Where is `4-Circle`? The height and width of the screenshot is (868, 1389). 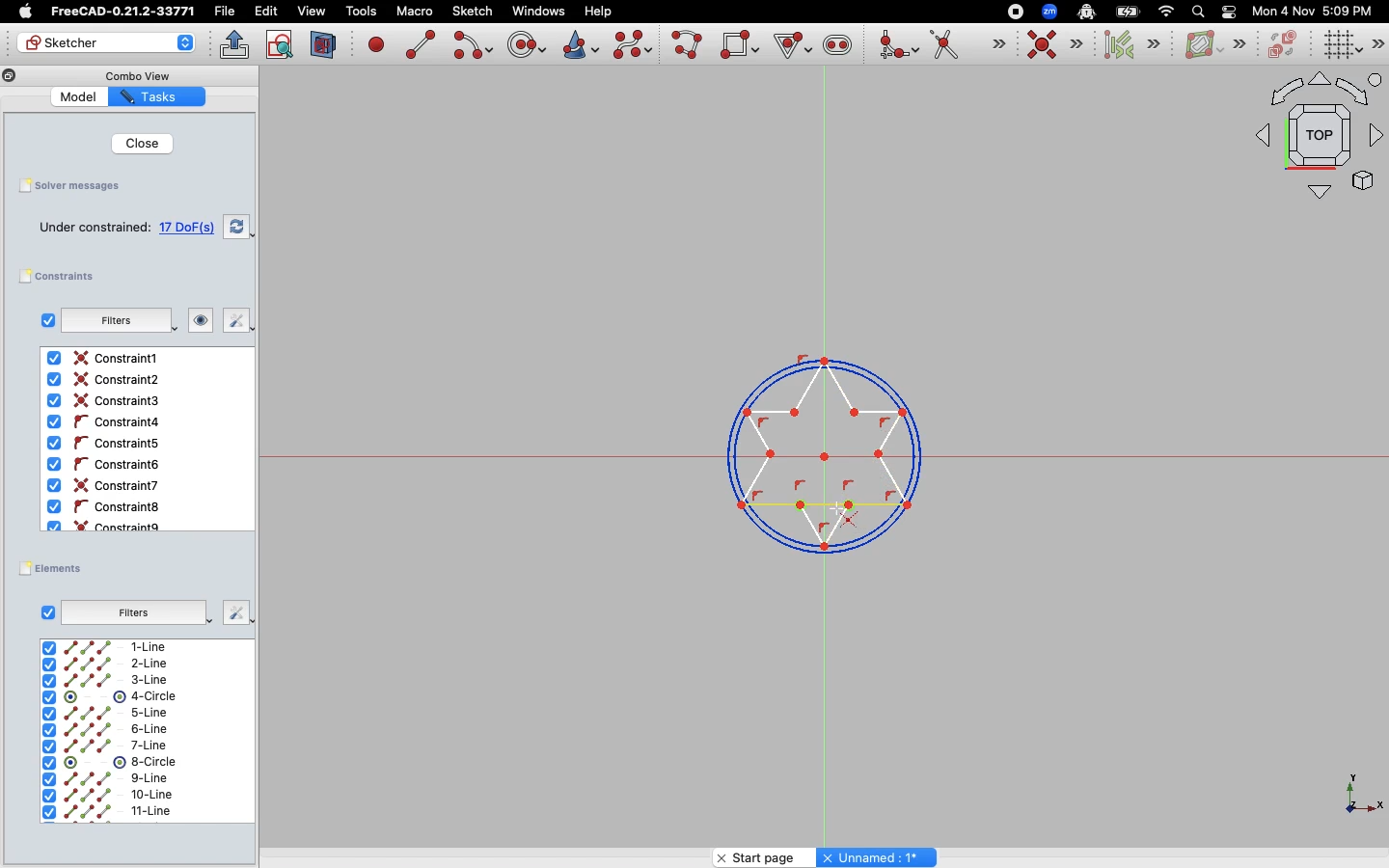
4-Circle is located at coordinates (111, 697).